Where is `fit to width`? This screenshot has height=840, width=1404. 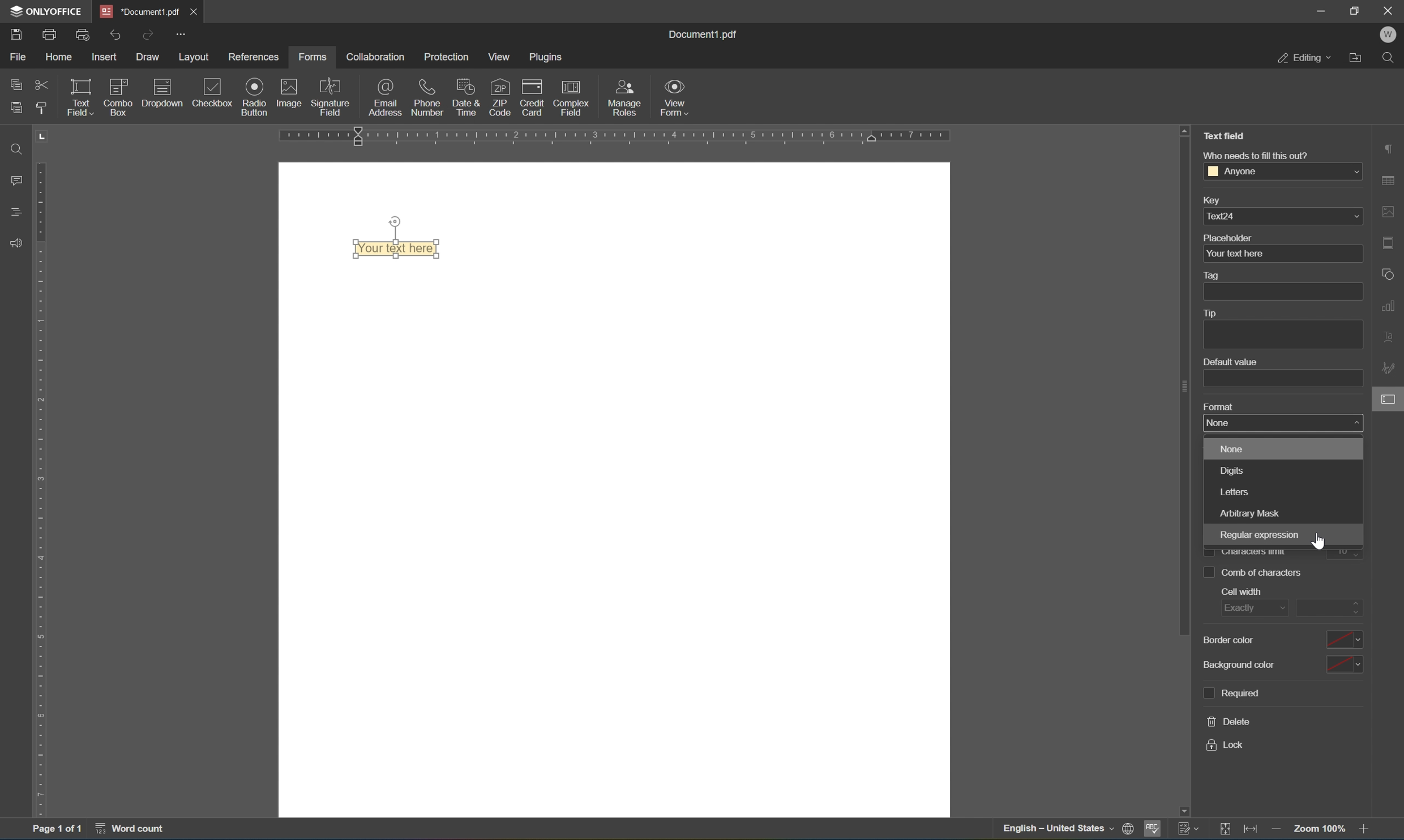
fit to width is located at coordinates (1252, 831).